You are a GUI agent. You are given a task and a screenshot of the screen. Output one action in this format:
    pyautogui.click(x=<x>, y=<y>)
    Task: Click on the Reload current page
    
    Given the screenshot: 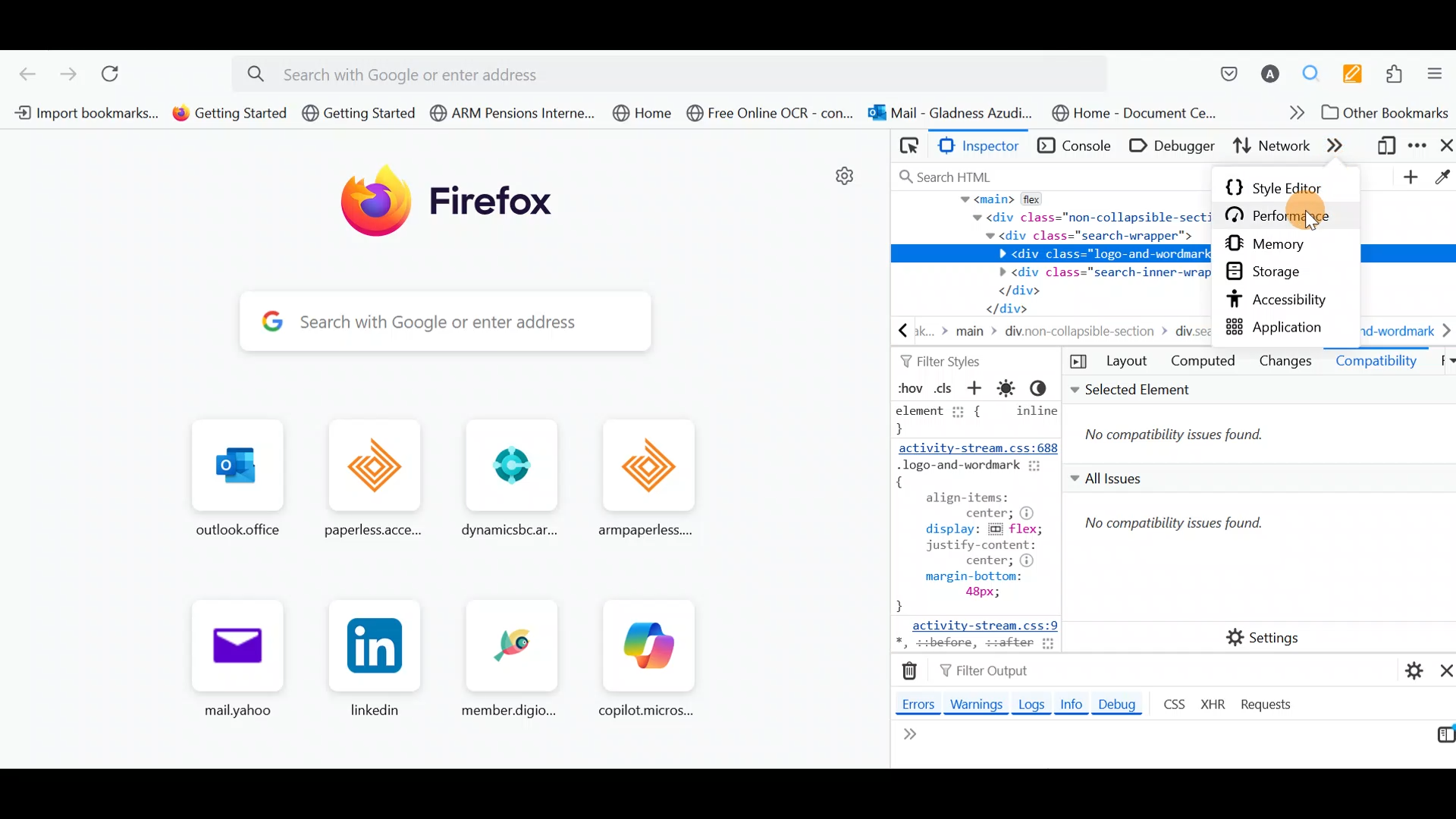 What is the action you would take?
    pyautogui.click(x=121, y=76)
    